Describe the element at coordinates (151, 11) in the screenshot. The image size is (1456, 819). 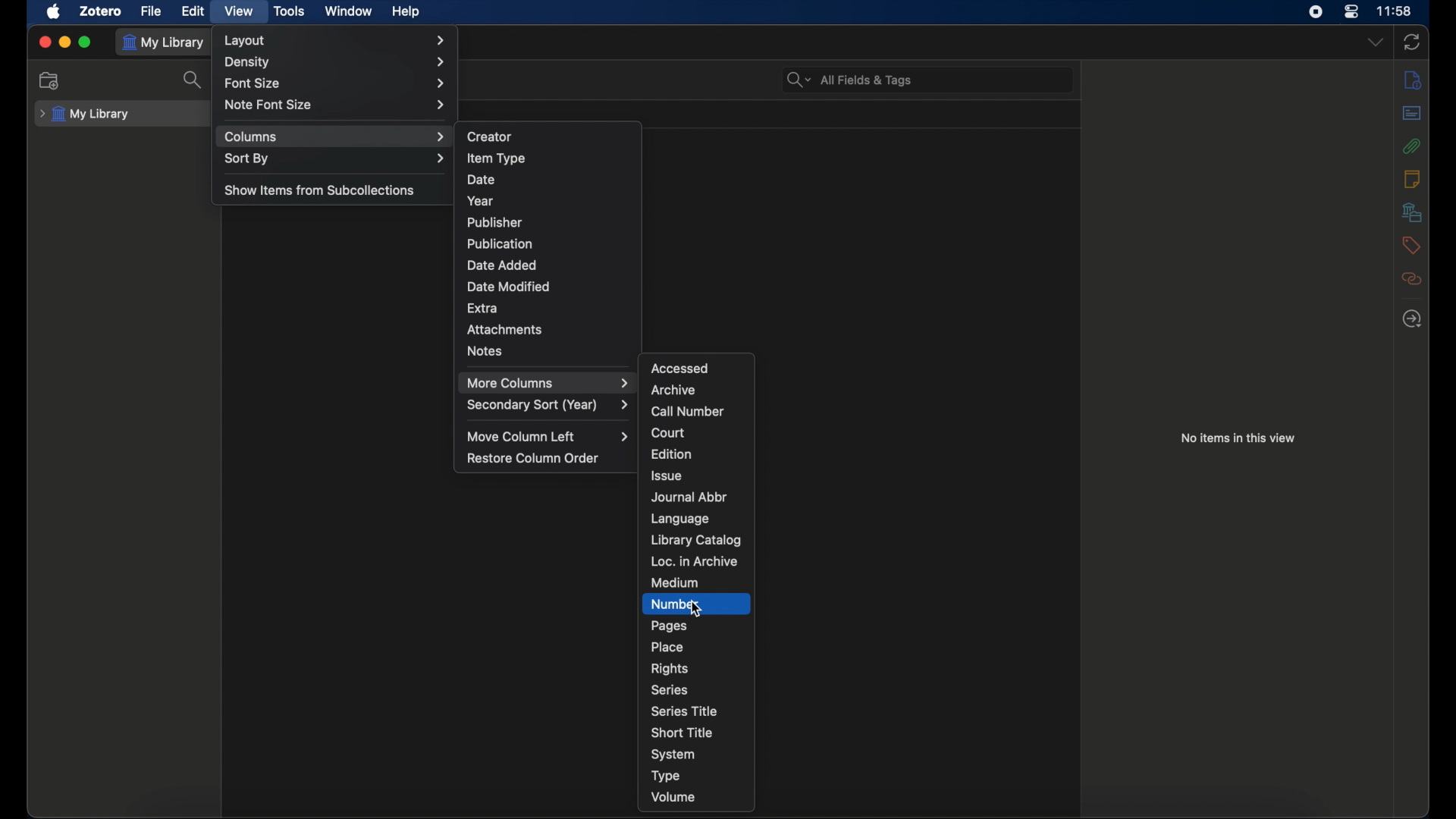
I see `file` at that location.